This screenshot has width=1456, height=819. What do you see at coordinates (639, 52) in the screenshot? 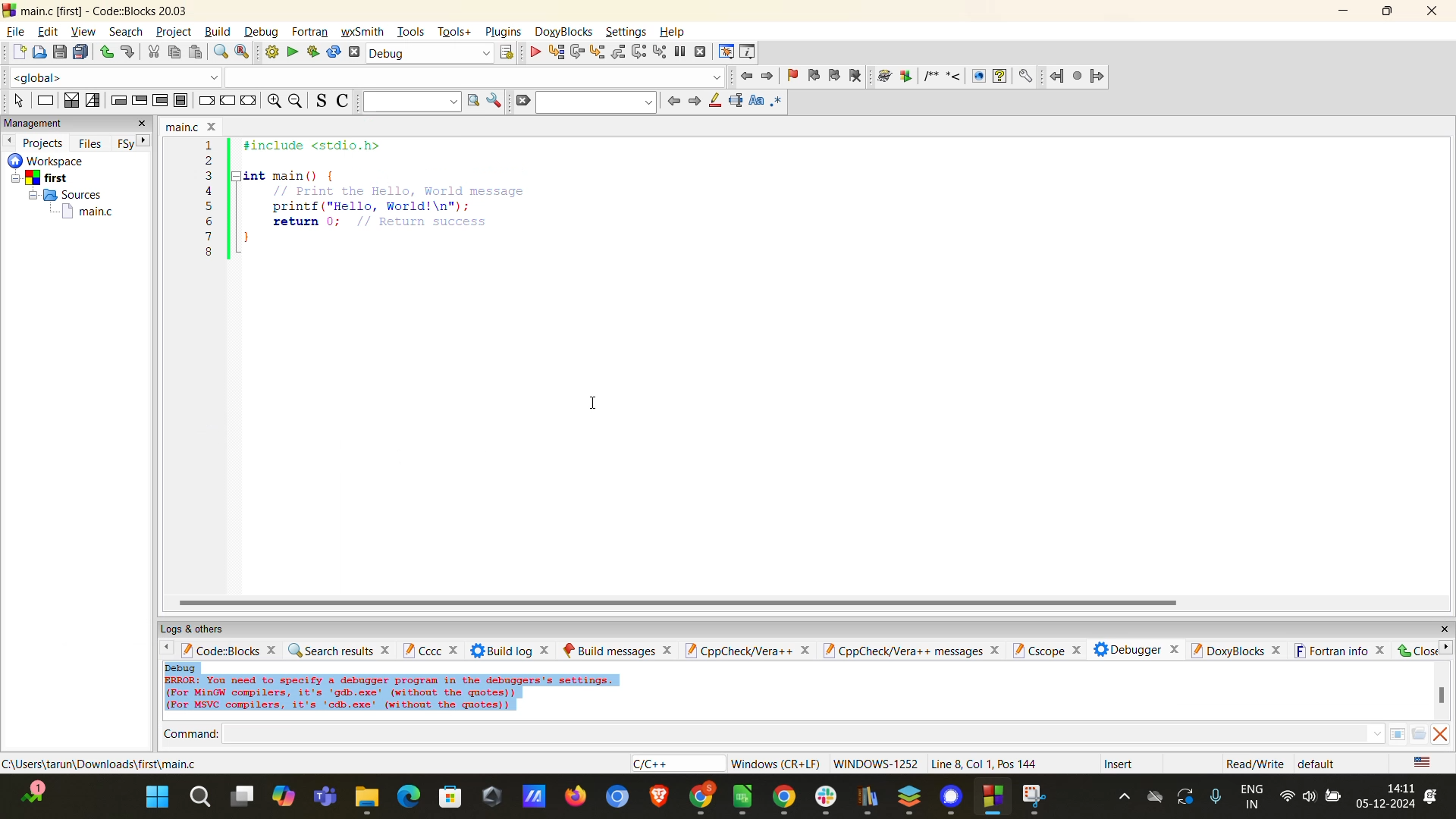
I see `next instruction` at bounding box center [639, 52].